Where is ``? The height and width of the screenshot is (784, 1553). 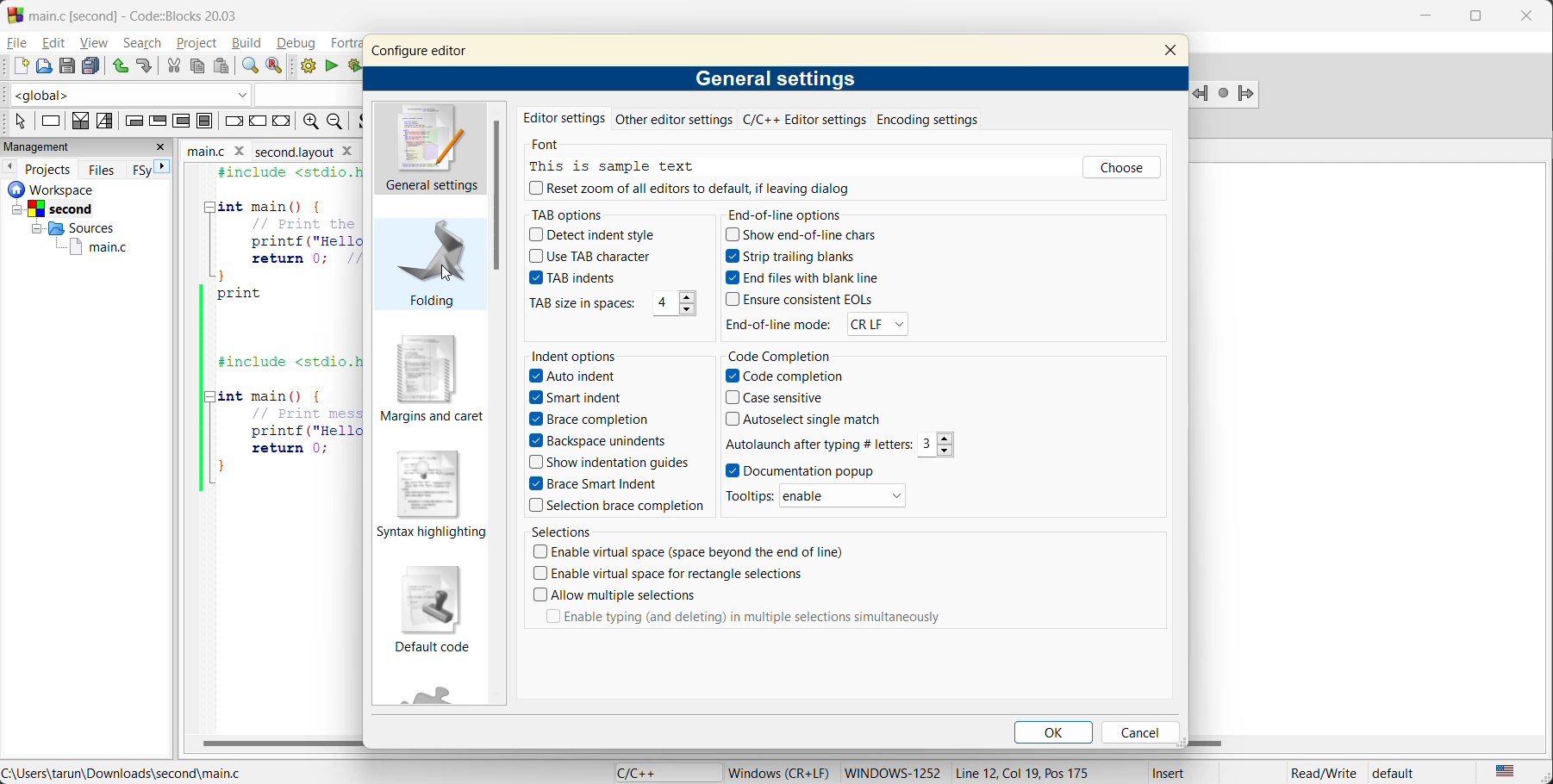  is located at coordinates (70, 227).